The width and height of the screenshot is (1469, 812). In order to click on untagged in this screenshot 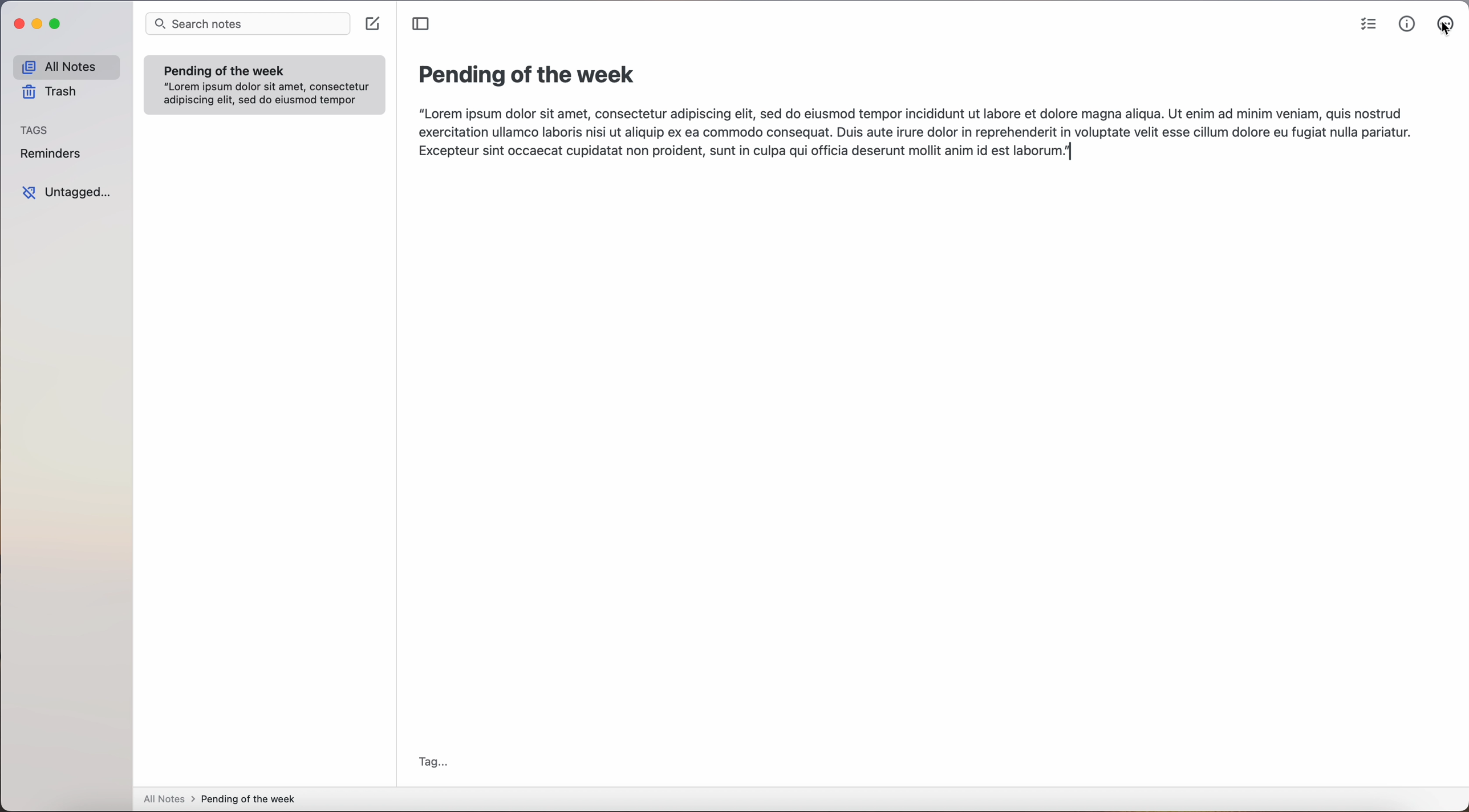, I will do `click(69, 194)`.